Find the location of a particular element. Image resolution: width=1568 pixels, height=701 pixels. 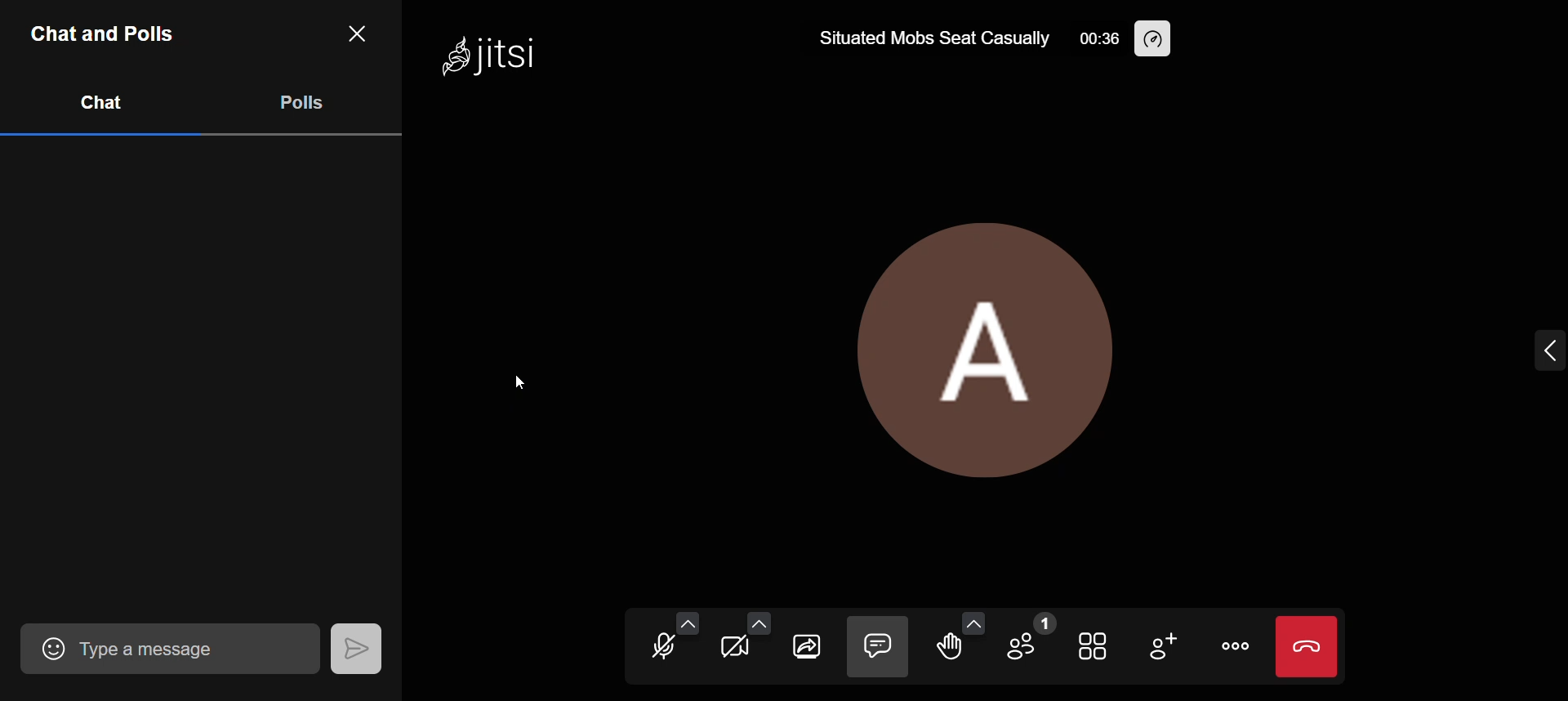

display picture is located at coordinates (982, 345).